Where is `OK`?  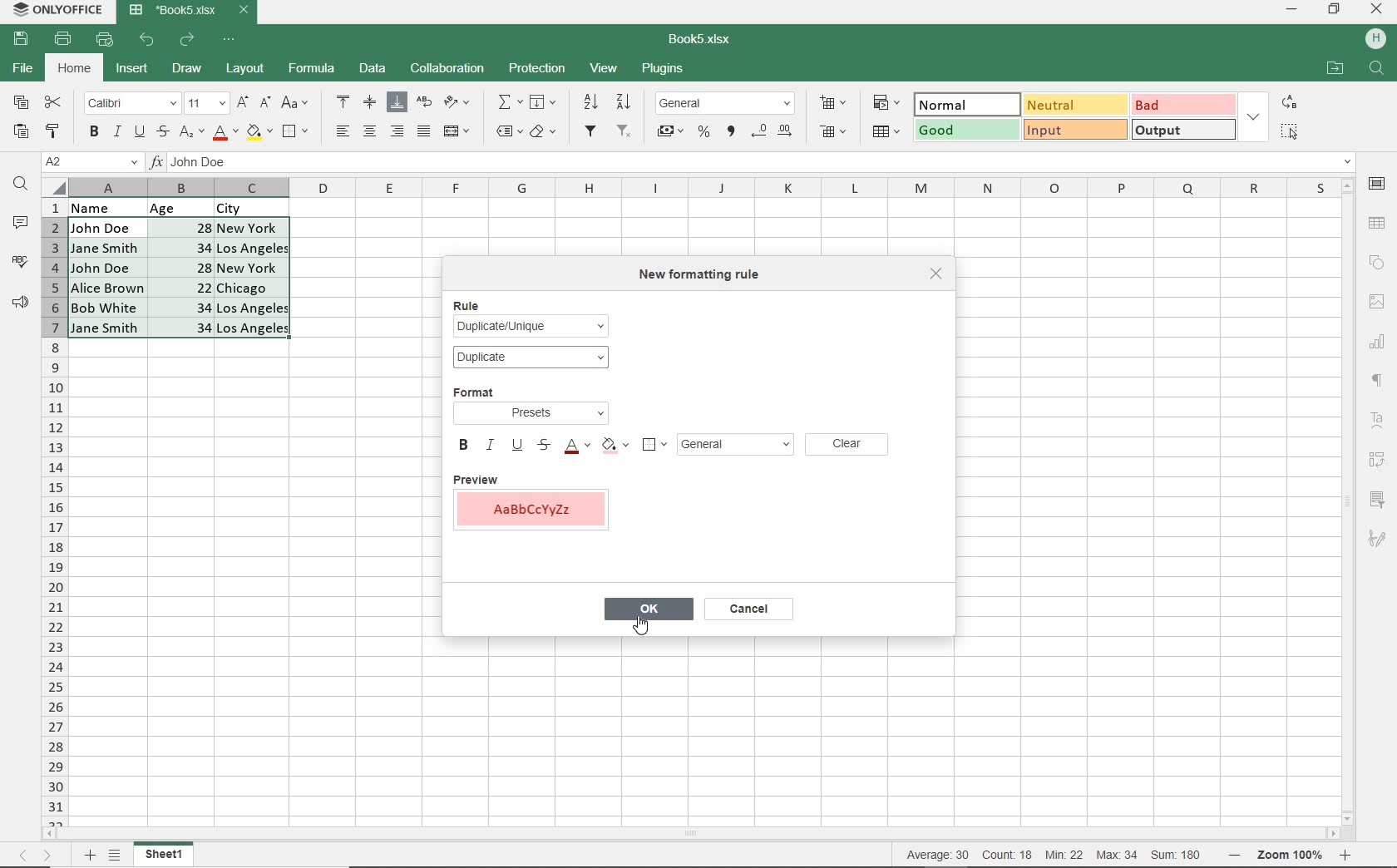 OK is located at coordinates (648, 609).